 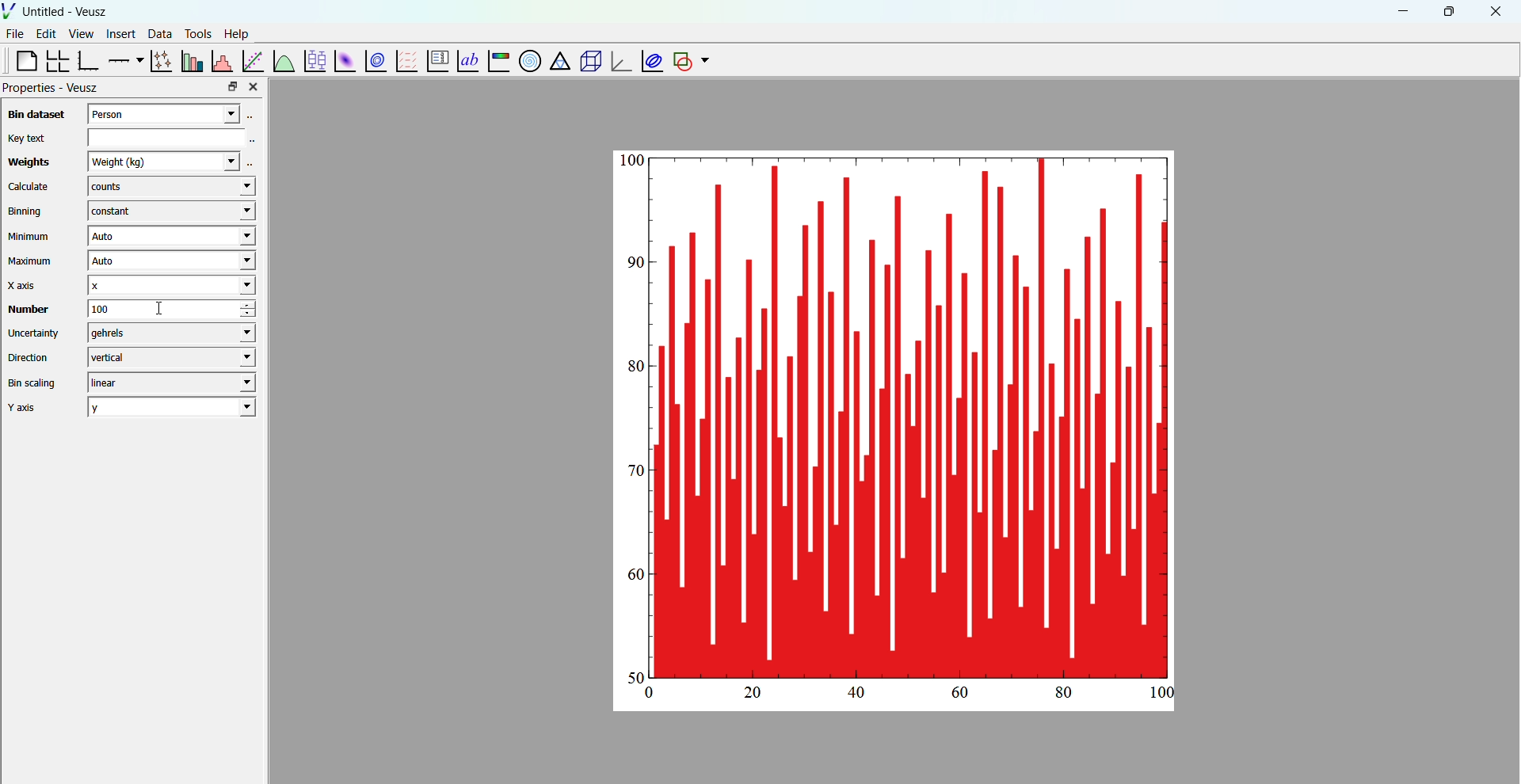 What do you see at coordinates (911, 414) in the screenshot?
I see `histogram Updated with the values` at bounding box center [911, 414].